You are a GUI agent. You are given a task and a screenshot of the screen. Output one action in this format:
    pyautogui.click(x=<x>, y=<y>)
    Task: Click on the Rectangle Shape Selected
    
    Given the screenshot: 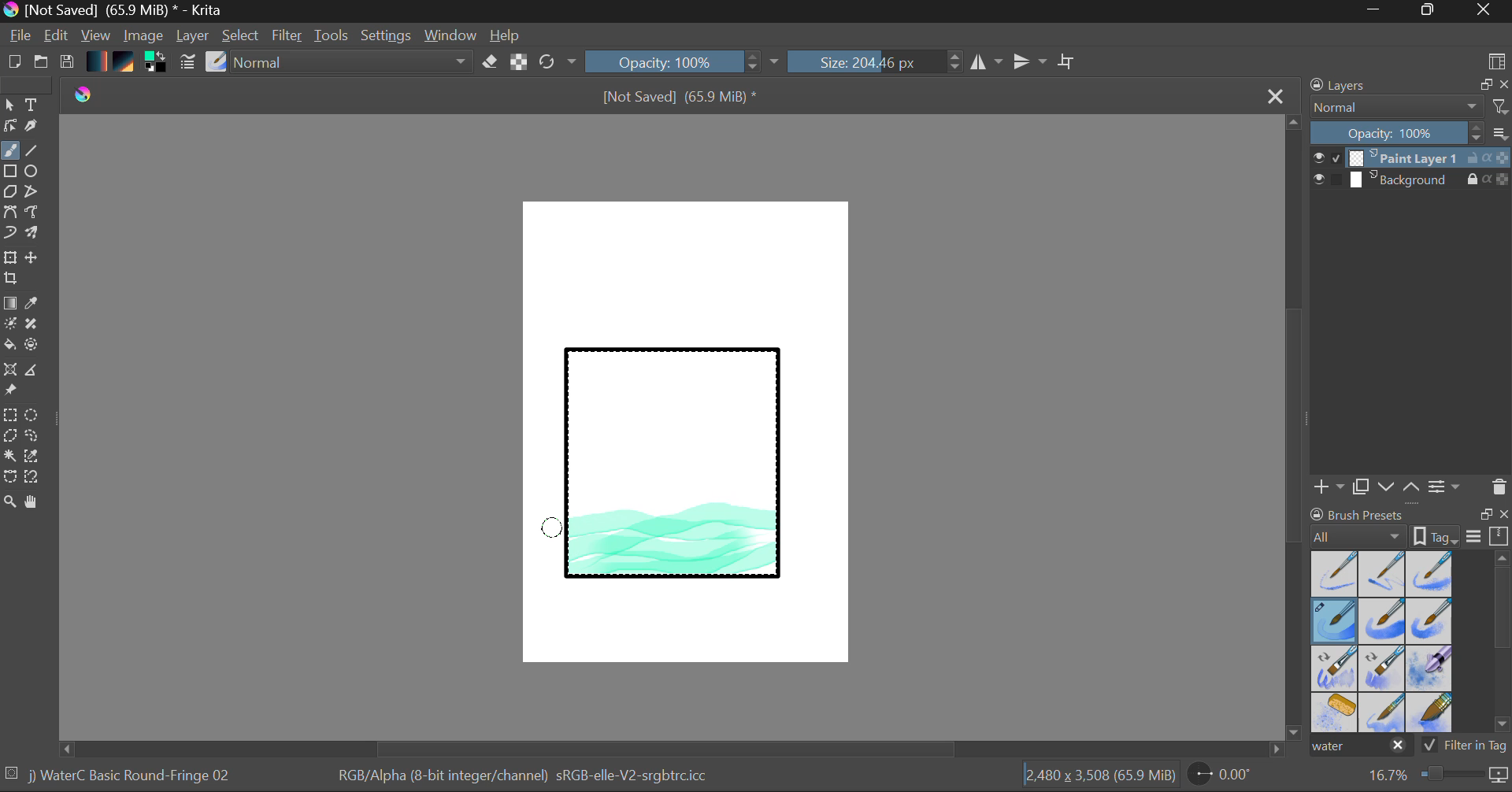 What is the action you would take?
    pyautogui.click(x=674, y=479)
    